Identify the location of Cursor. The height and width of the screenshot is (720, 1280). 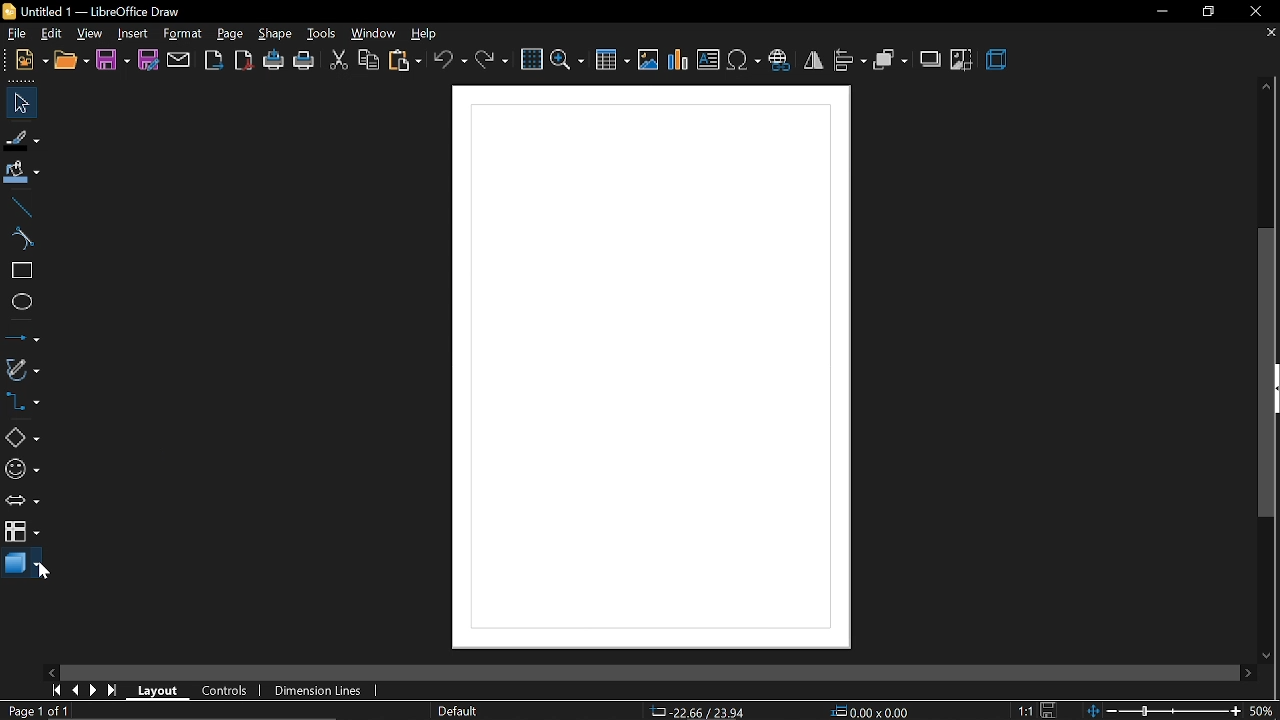
(41, 569).